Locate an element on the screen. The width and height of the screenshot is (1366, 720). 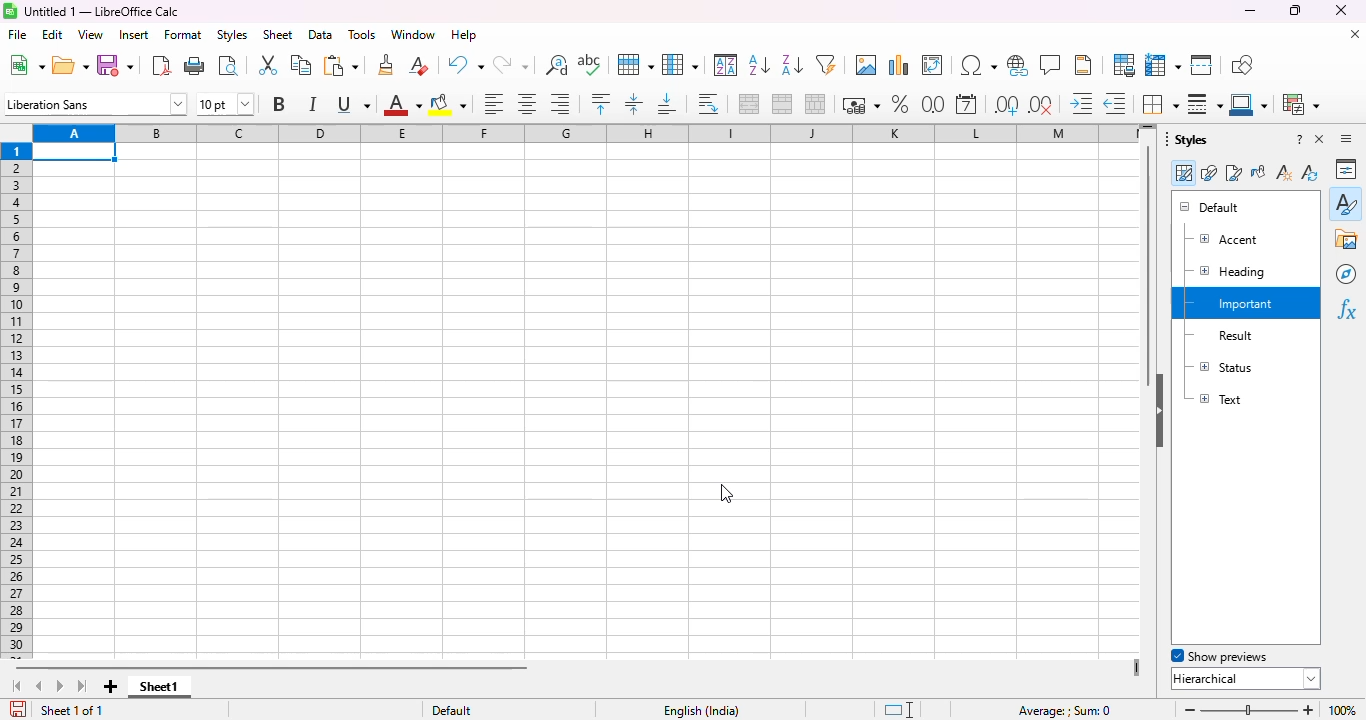
format is located at coordinates (184, 35).